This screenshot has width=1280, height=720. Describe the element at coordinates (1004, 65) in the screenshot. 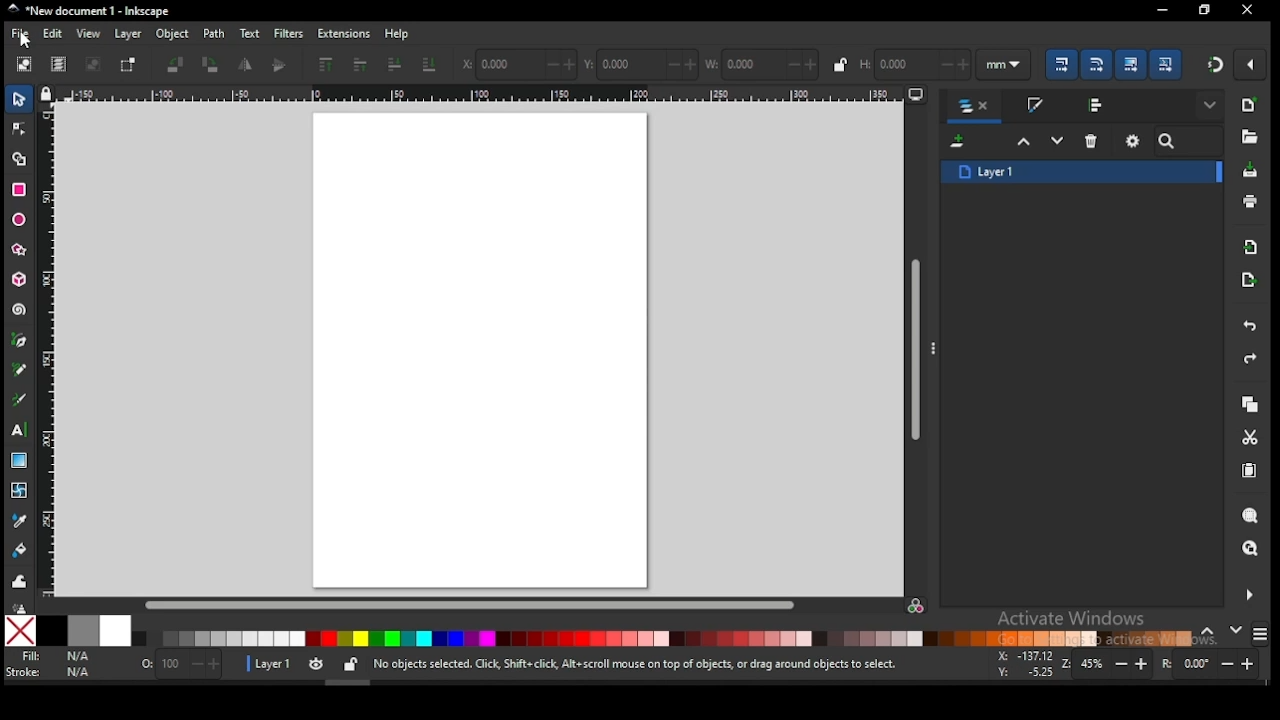

I see `units` at that location.